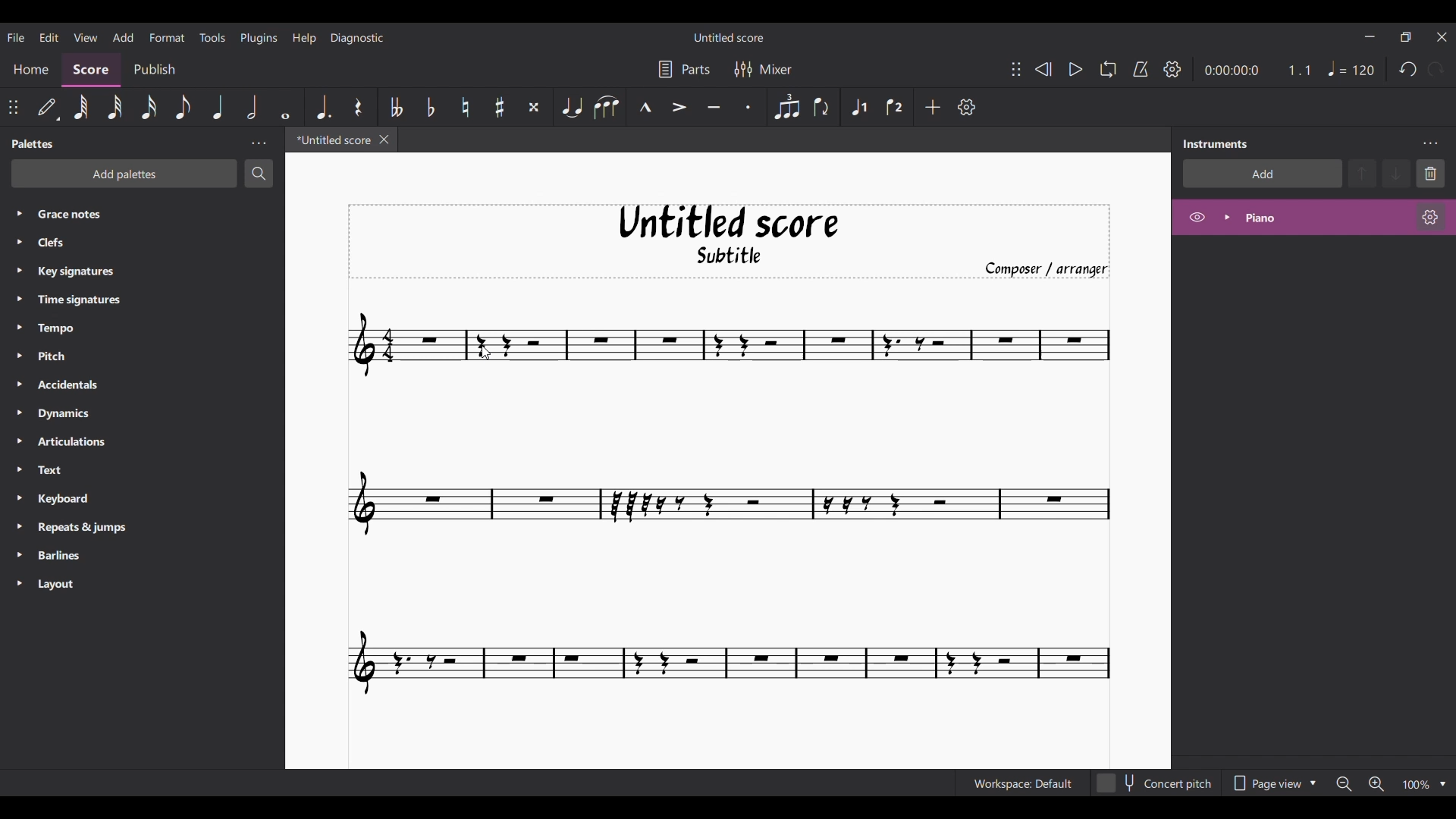  Describe the element at coordinates (90, 70) in the screenshot. I see `Score section, current selection highlighted` at that location.